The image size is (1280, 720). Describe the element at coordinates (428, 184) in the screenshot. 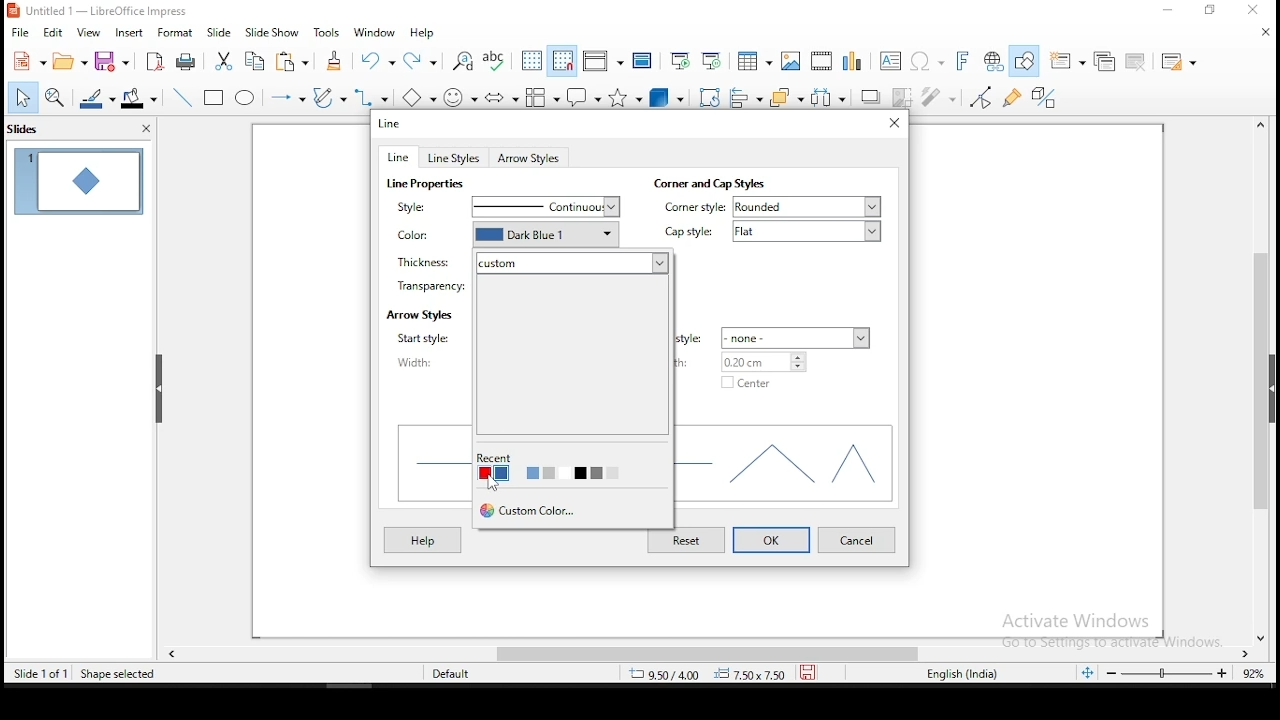

I see `line properties` at that location.